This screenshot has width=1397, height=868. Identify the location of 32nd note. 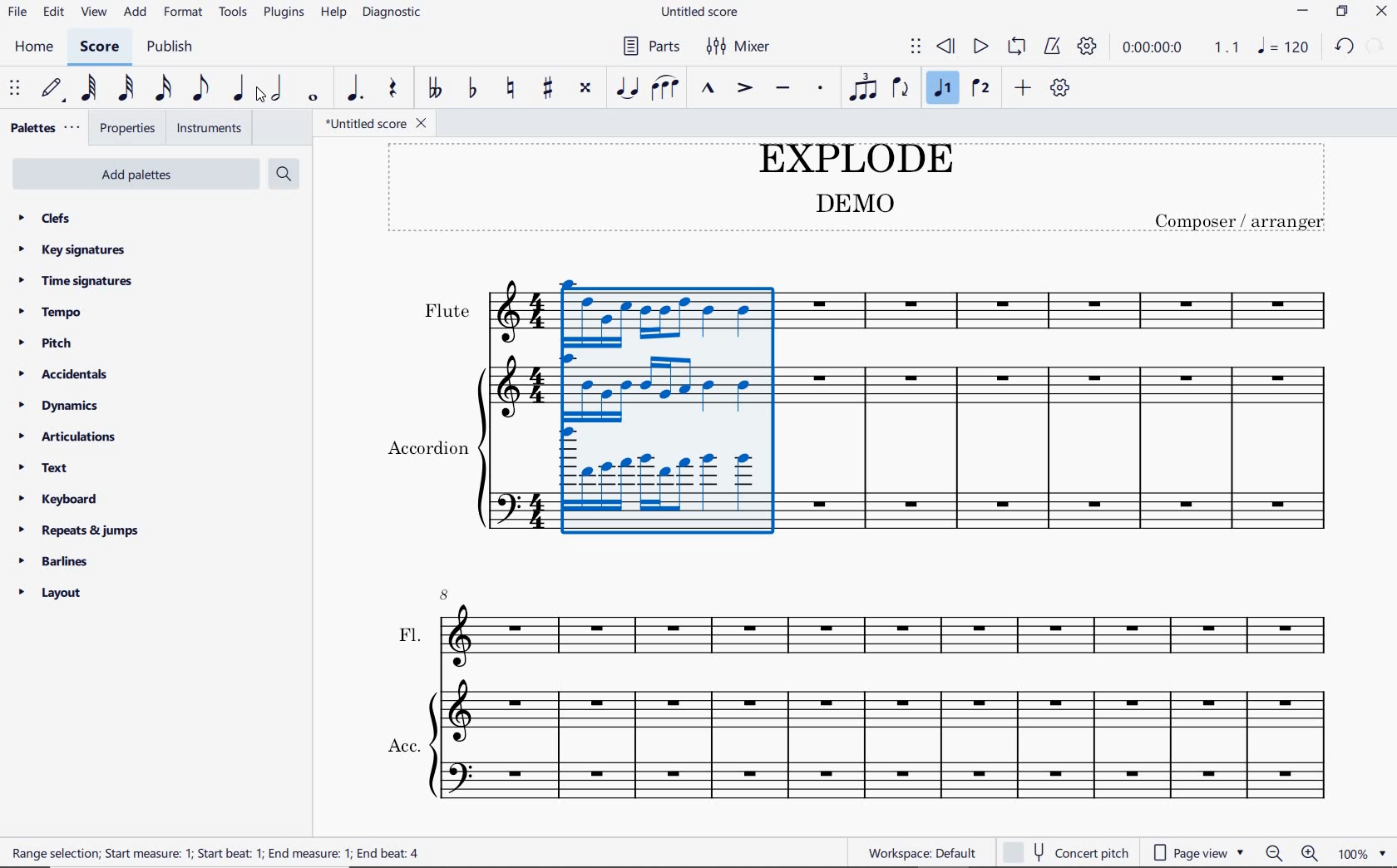
(126, 90).